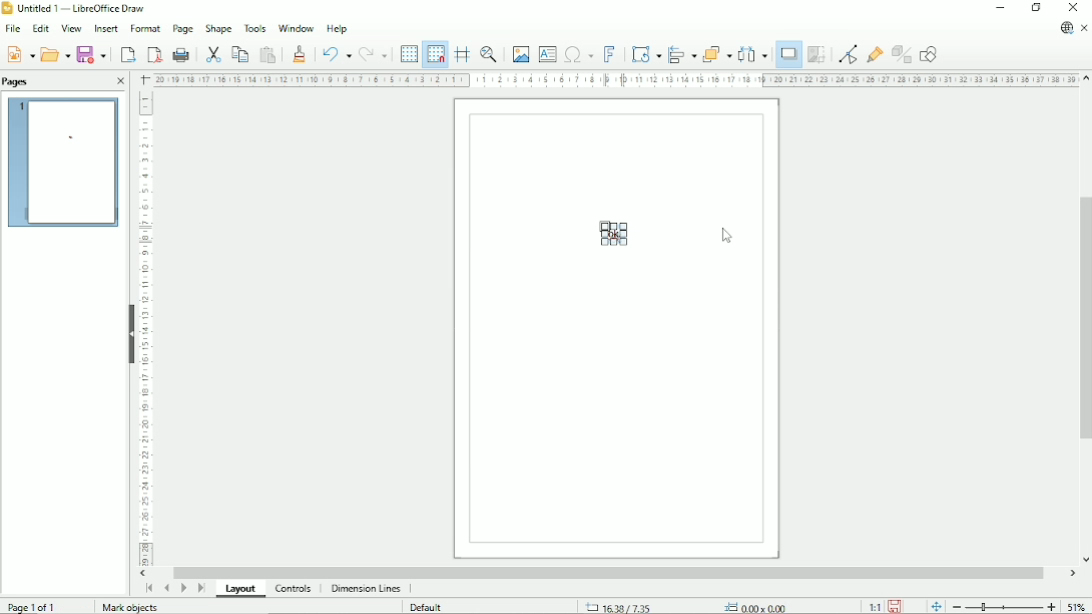 This screenshot has height=614, width=1092. Describe the element at coordinates (1085, 79) in the screenshot. I see `Vertical scroll button` at that location.